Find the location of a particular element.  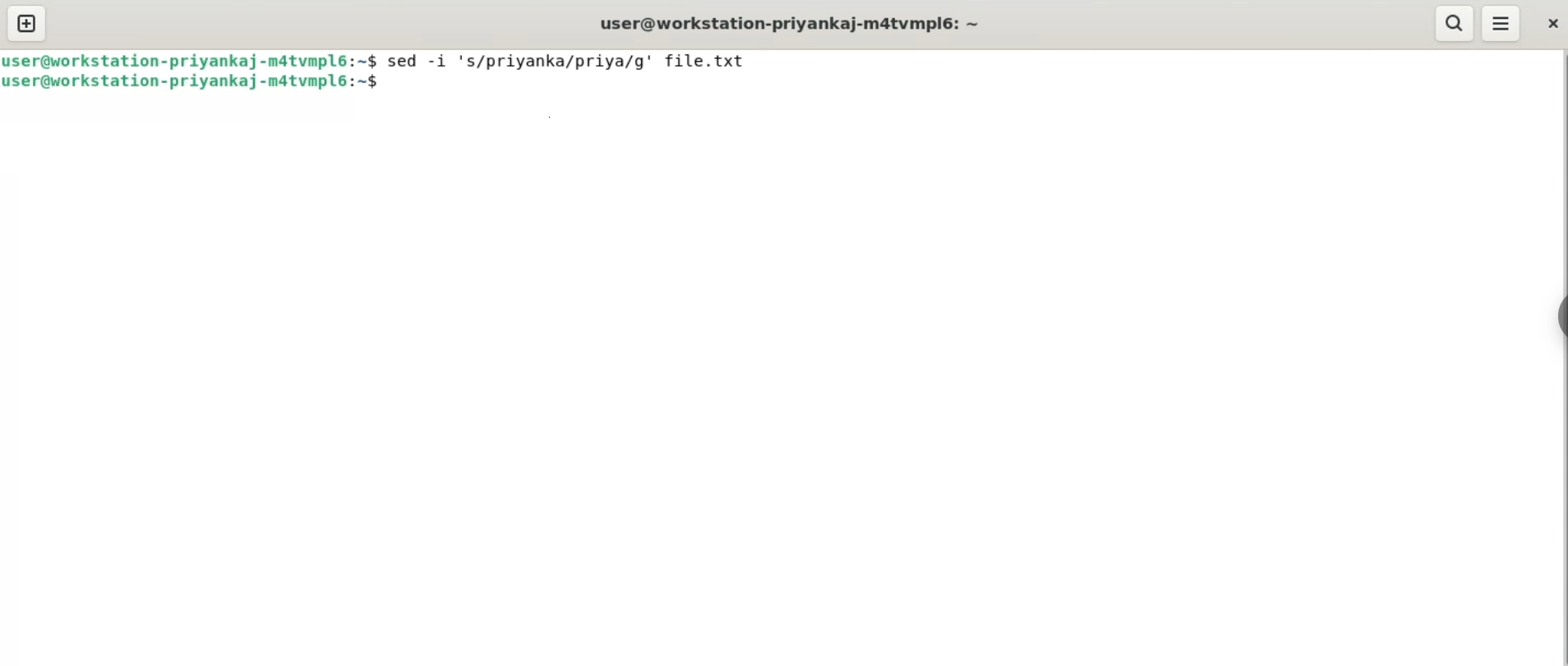

sidebar is located at coordinates (1560, 317).